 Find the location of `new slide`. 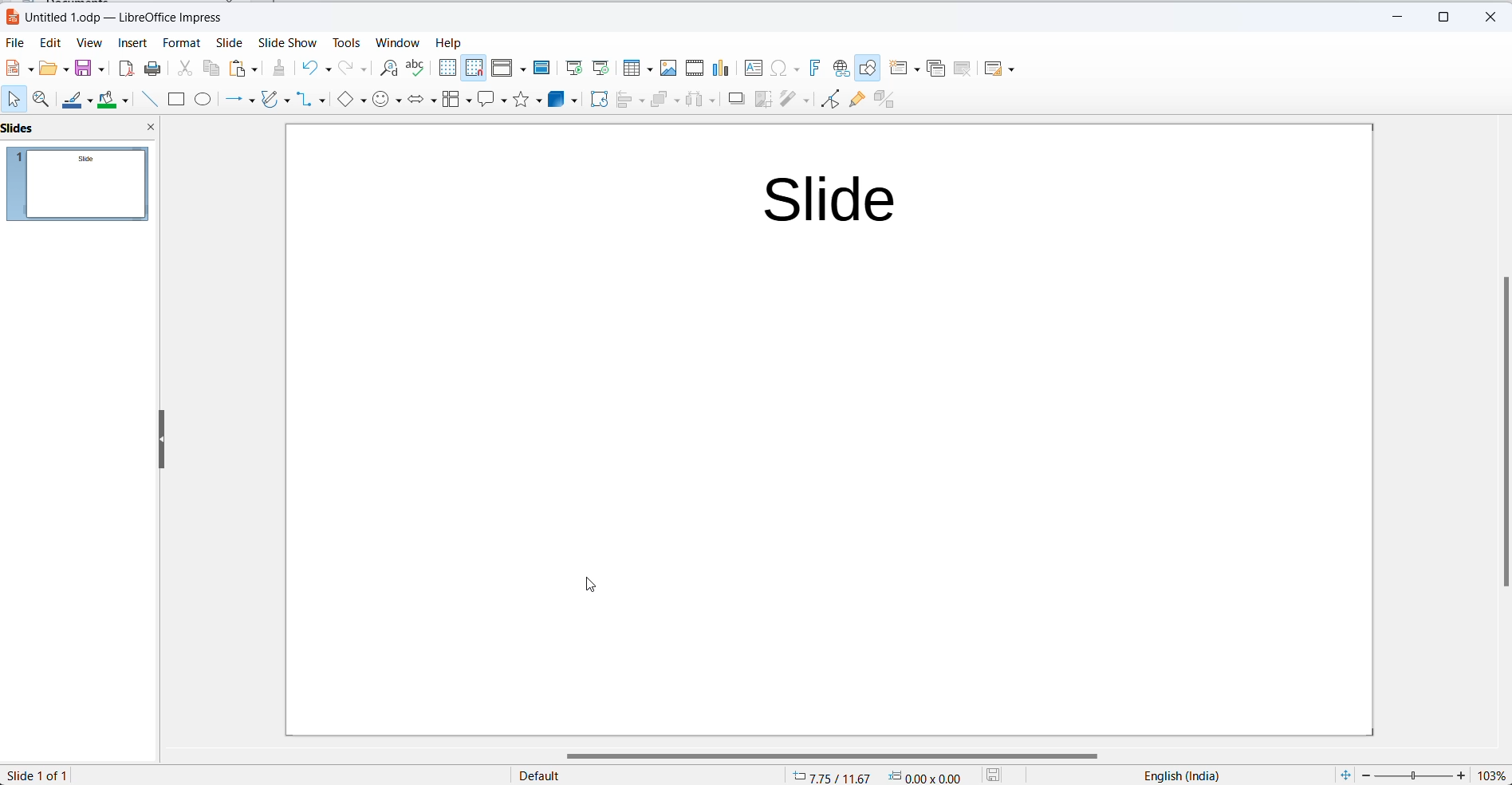

new slide is located at coordinates (902, 69).